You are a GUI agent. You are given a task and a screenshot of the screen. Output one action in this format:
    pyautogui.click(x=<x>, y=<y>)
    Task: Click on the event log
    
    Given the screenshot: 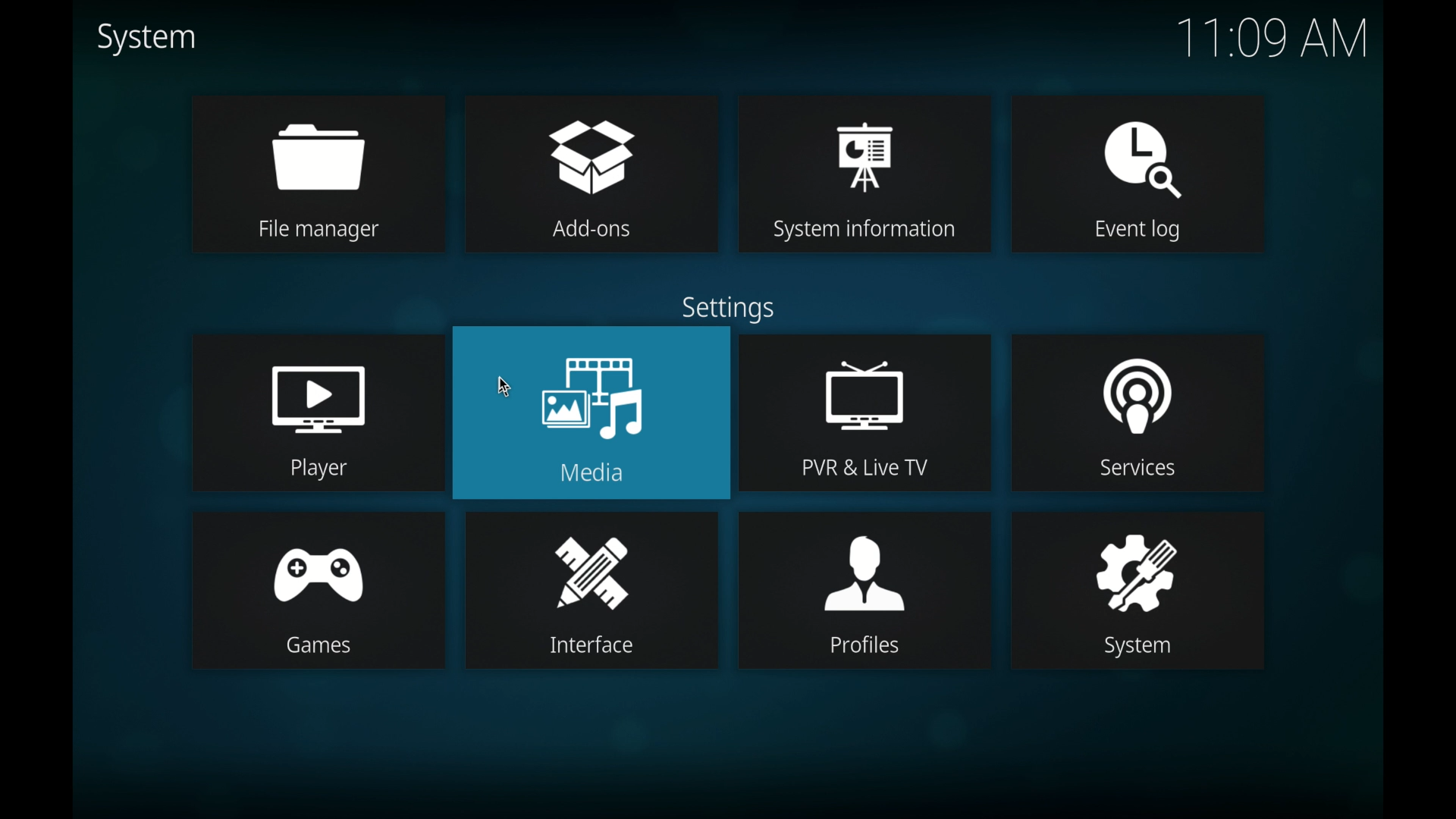 What is the action you would take?
    pyautogui.click(x=1136, y=171)
    